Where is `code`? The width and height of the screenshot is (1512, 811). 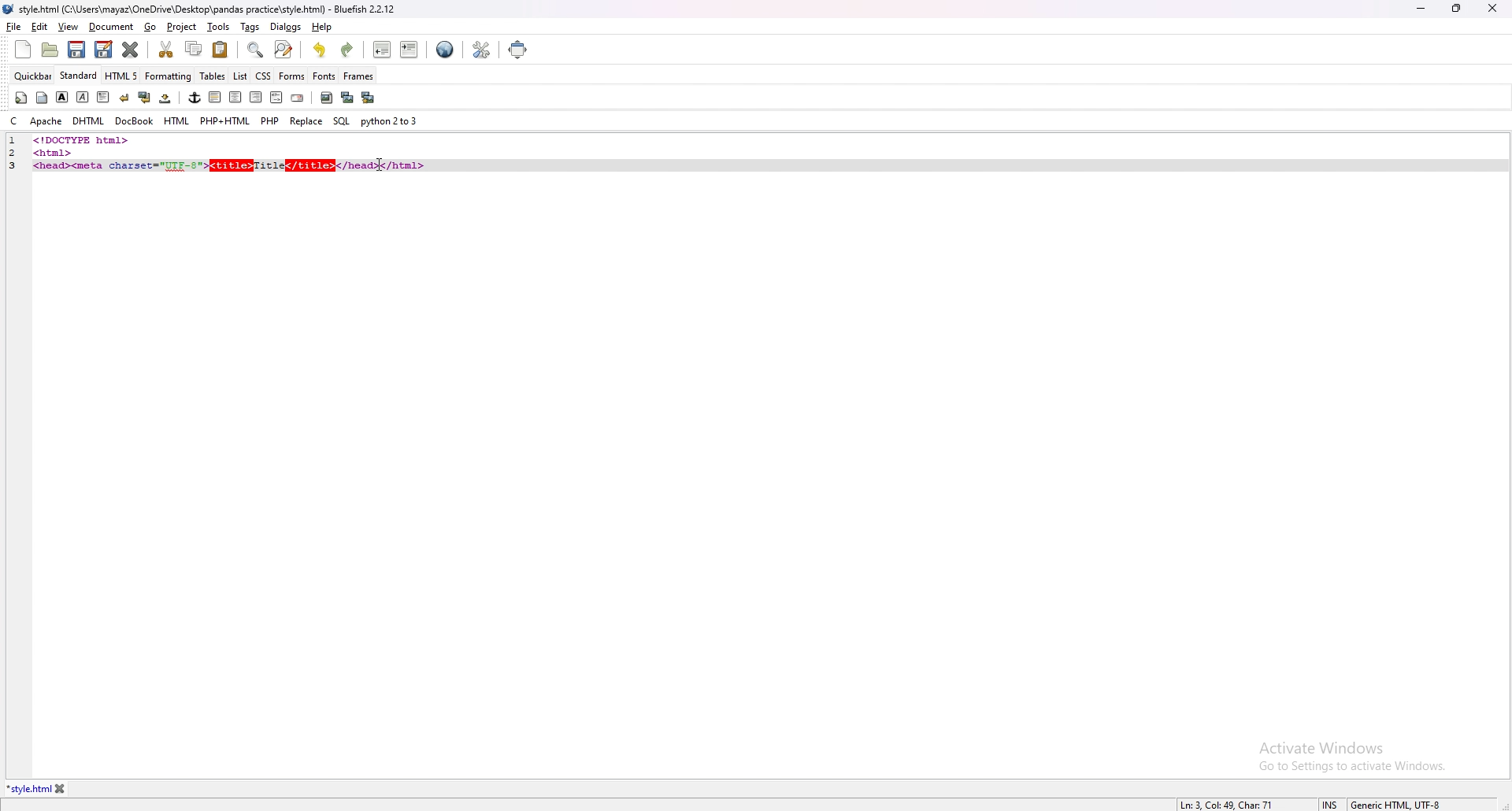 code is located at coordinates (128, 139).